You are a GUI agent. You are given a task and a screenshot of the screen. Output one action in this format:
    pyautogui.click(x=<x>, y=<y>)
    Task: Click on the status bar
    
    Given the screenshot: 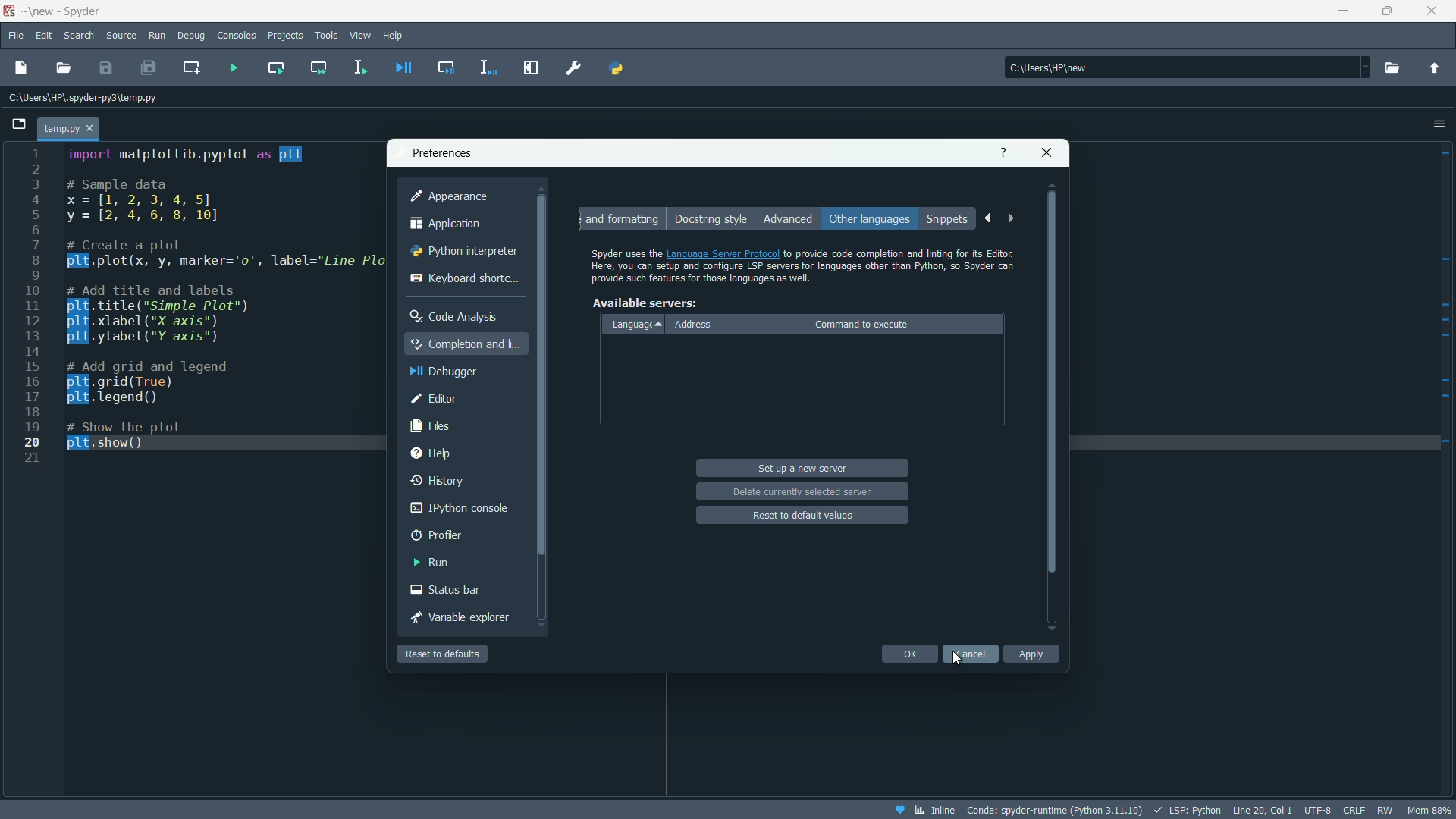 What is the action you would take?
    pyautogui.click(x=447, y=590)
    